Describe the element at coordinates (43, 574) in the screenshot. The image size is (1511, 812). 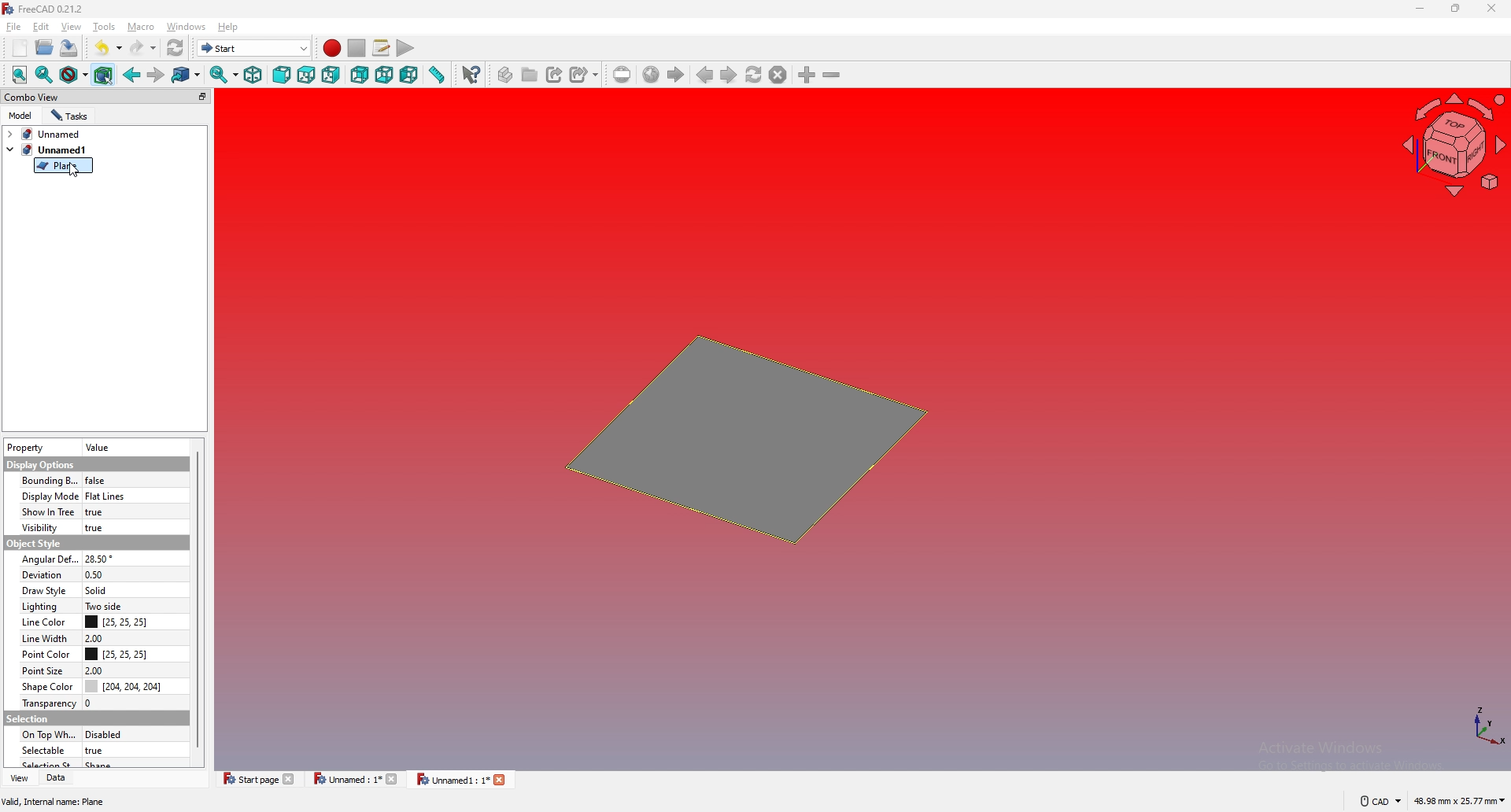
I see `deviation` at that location.